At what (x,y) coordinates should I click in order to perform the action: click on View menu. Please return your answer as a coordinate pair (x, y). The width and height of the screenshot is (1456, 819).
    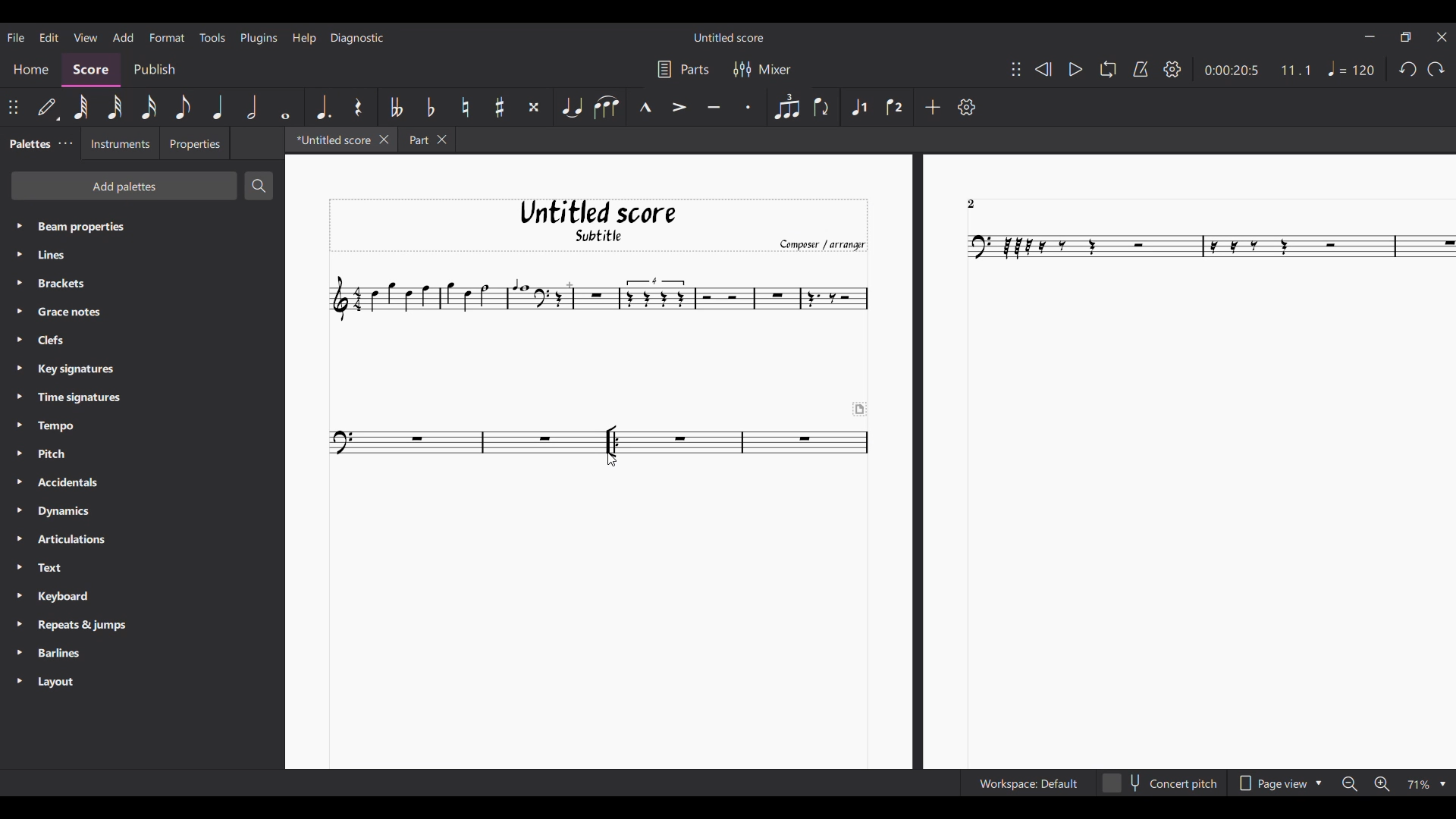
    Looking at the image, I should click on (86, 38).